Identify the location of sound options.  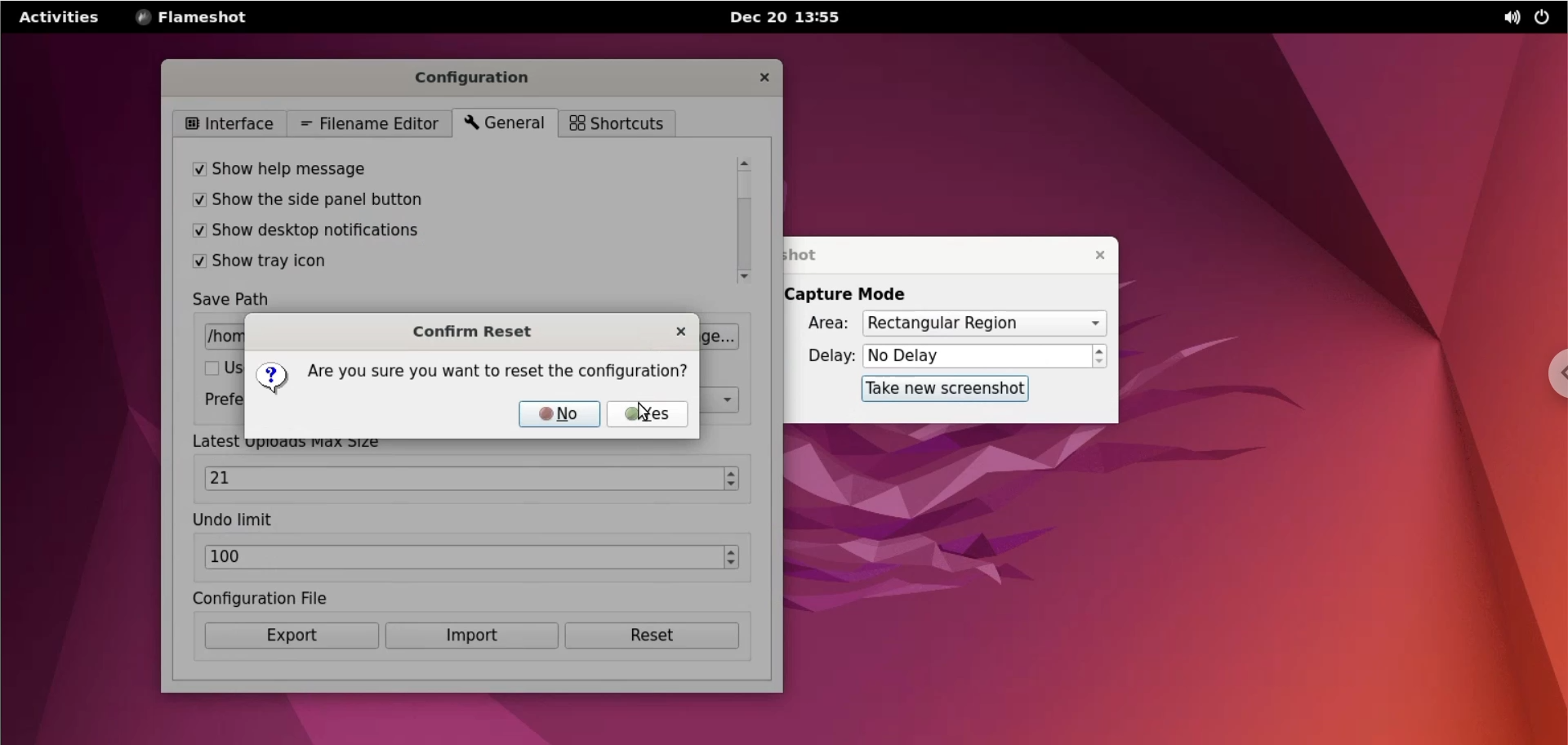
(1505, 18).